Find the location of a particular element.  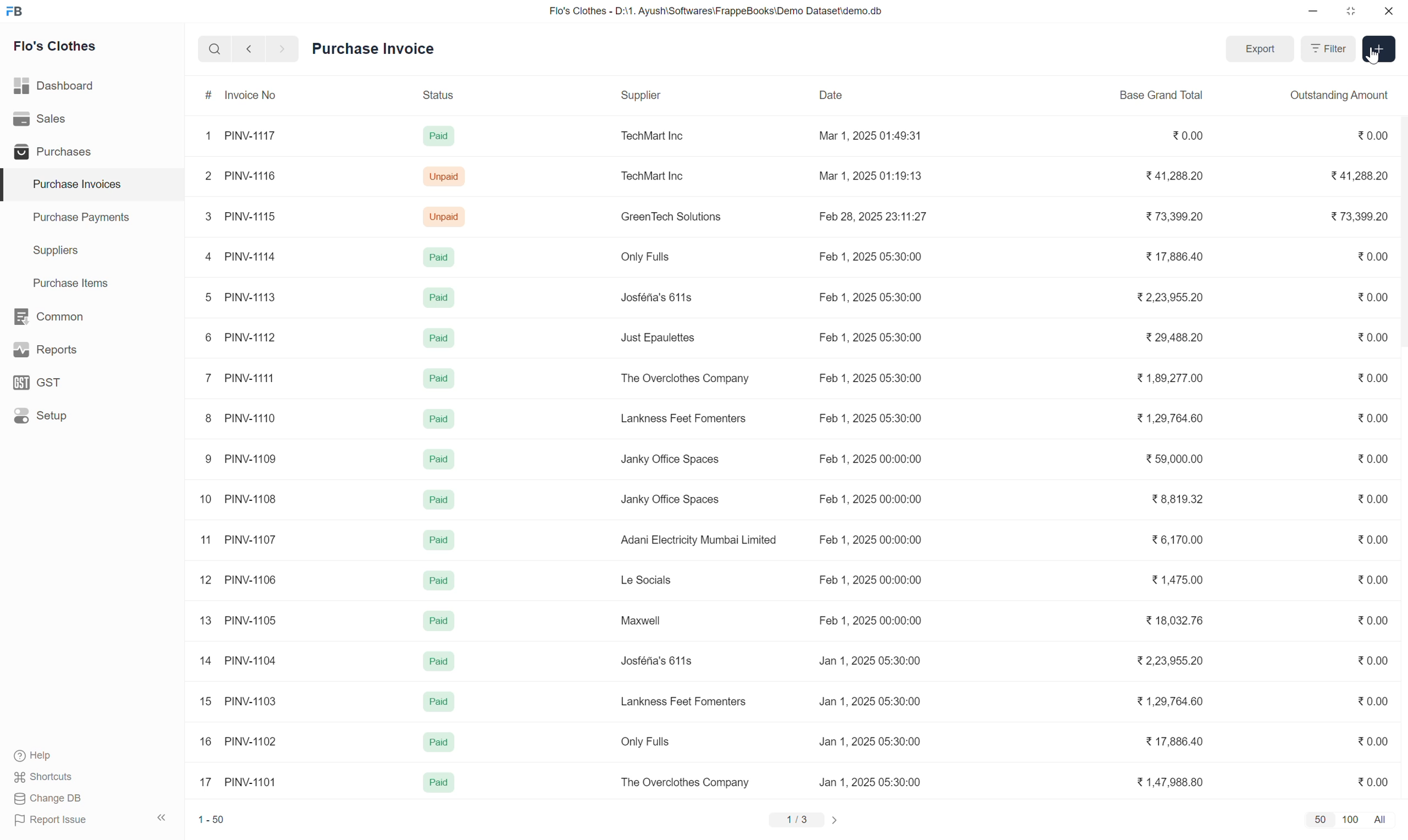

Feb 1, 2025 00:00:00 is located at coordinates (870, 458).